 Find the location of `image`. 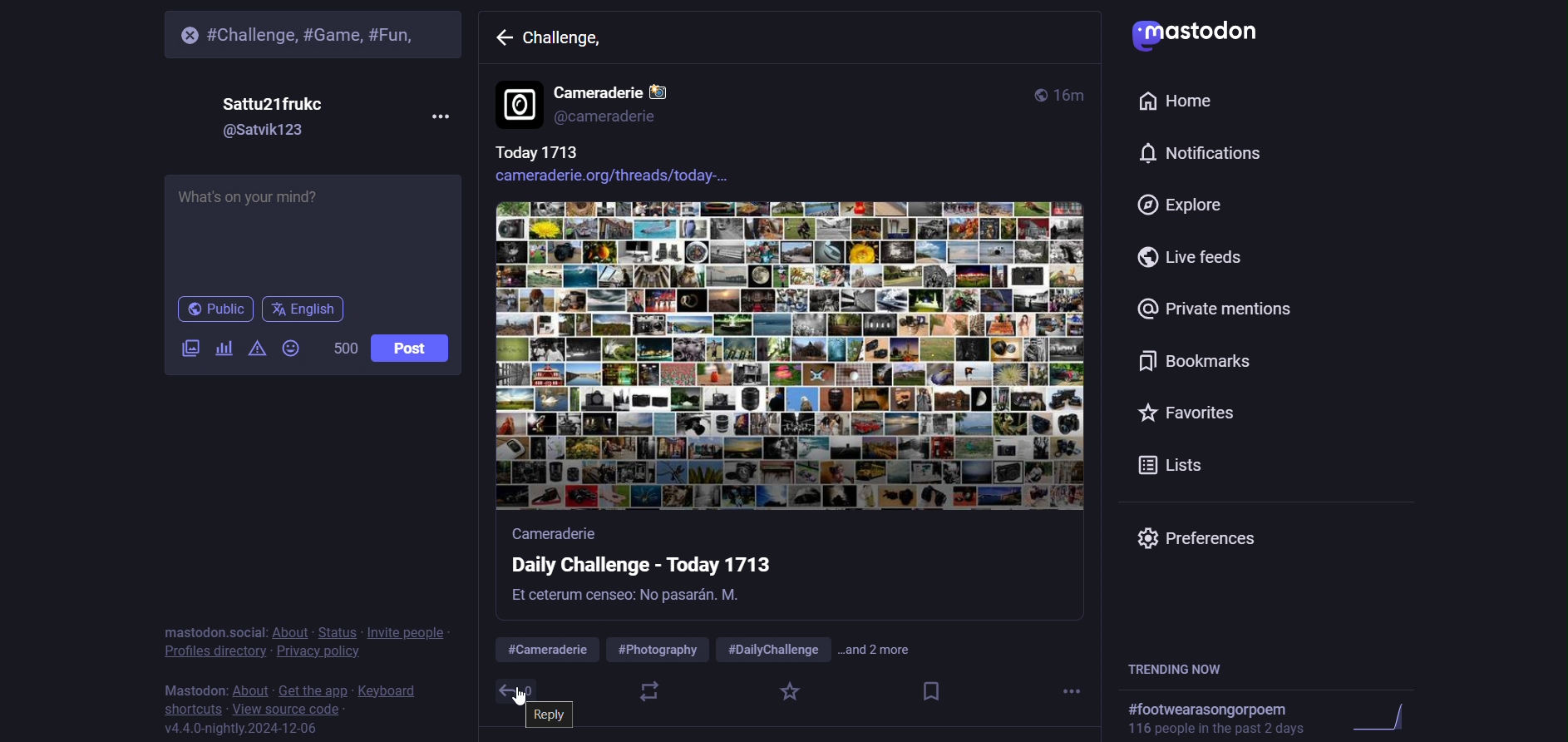

image is located at coordinates (791, 359).